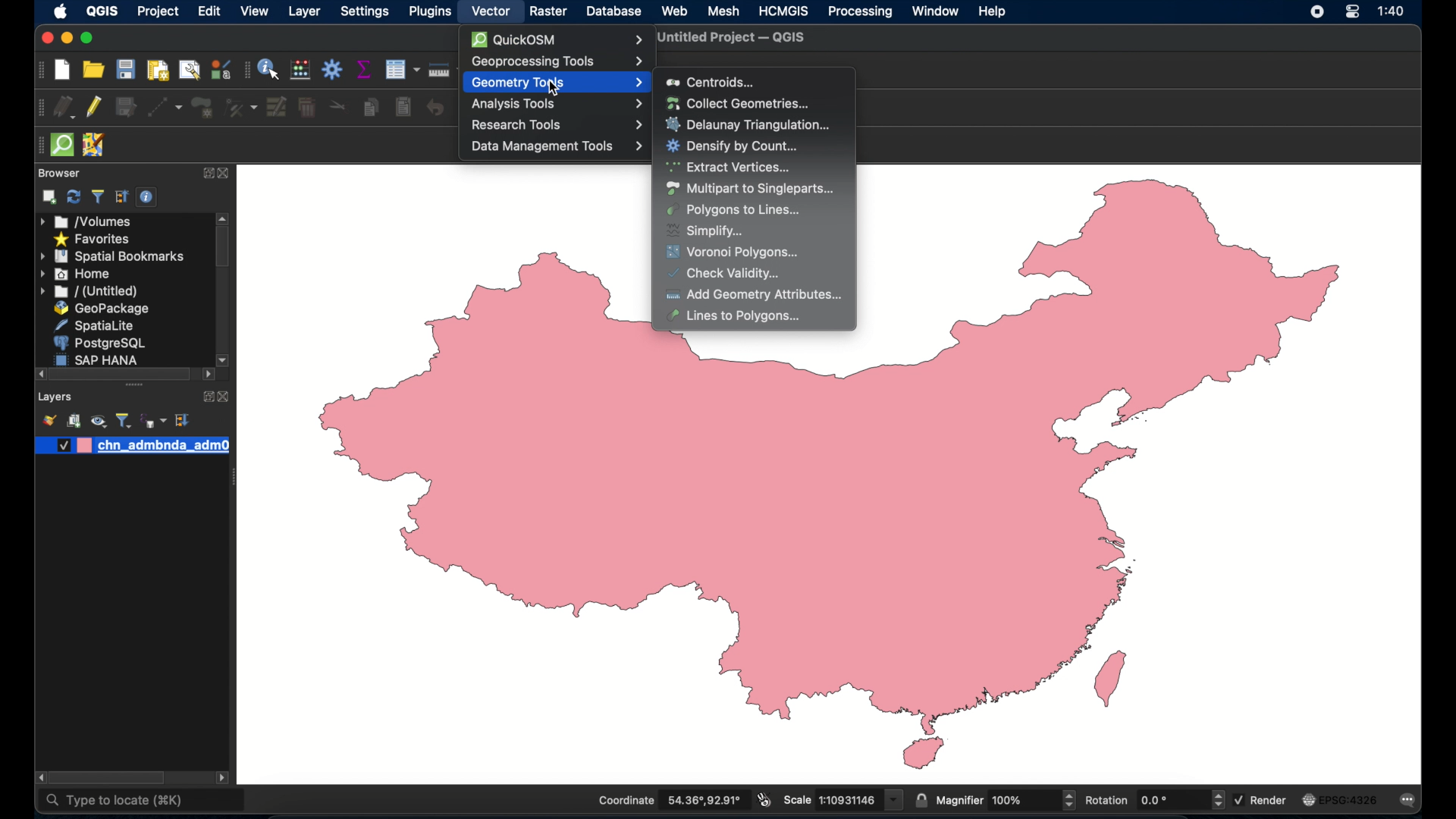 This screenshot has height=819, width=1456. Describe the element at coordinates (206, 397) in the screenshot. I see `expand` at that location.